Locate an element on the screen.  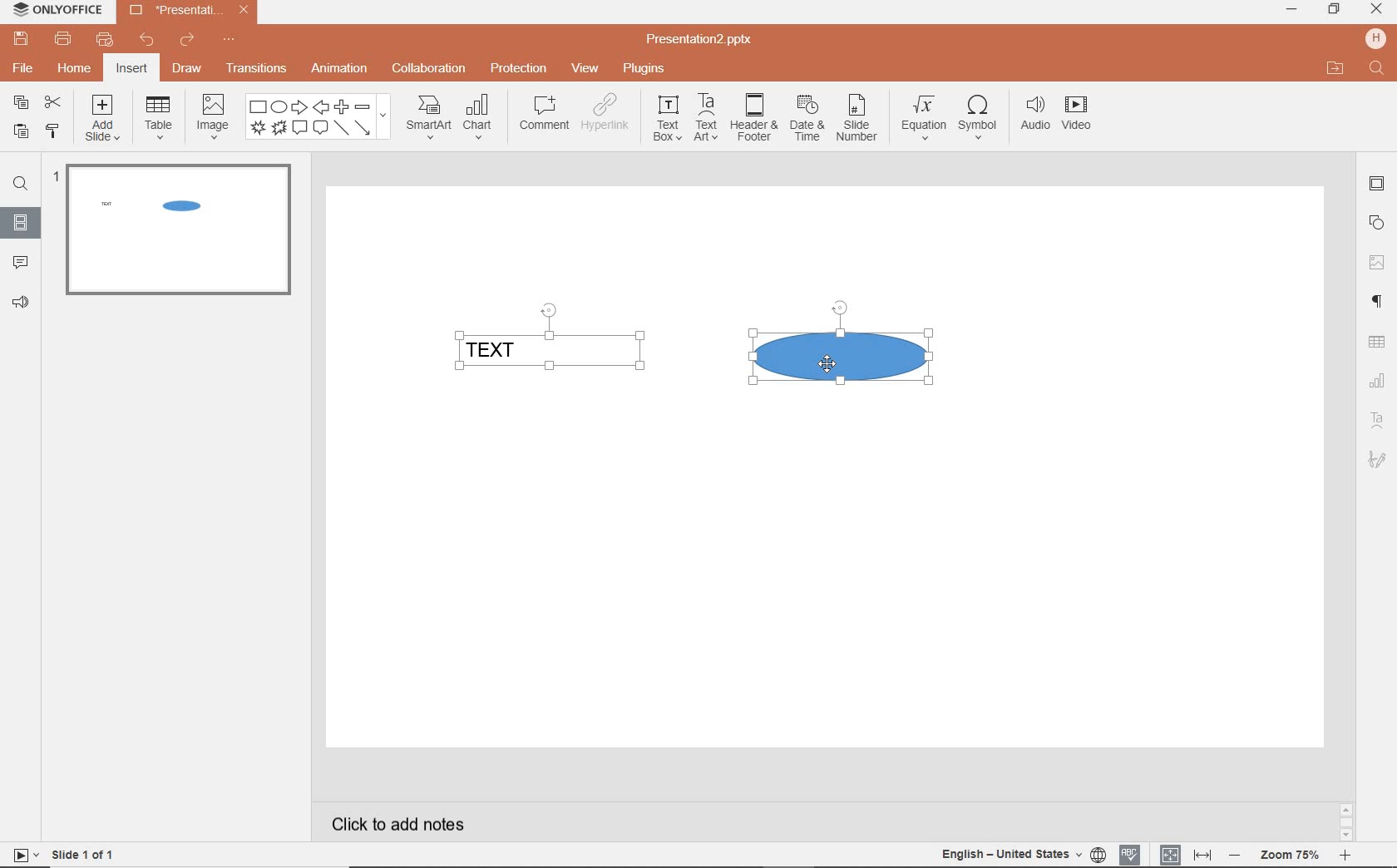
SLIDE1 is located at coordinates (178, 236).